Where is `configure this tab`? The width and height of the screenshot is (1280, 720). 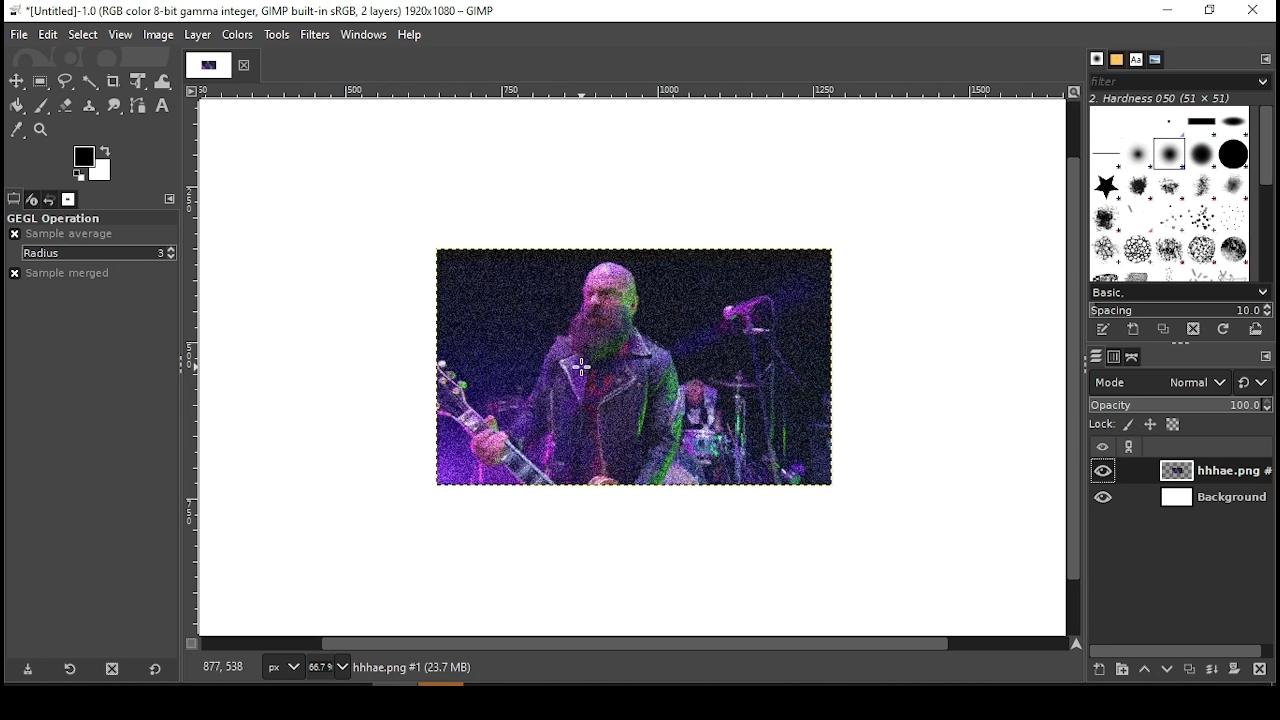 configure this tab is located at coordinates (1266, 61).